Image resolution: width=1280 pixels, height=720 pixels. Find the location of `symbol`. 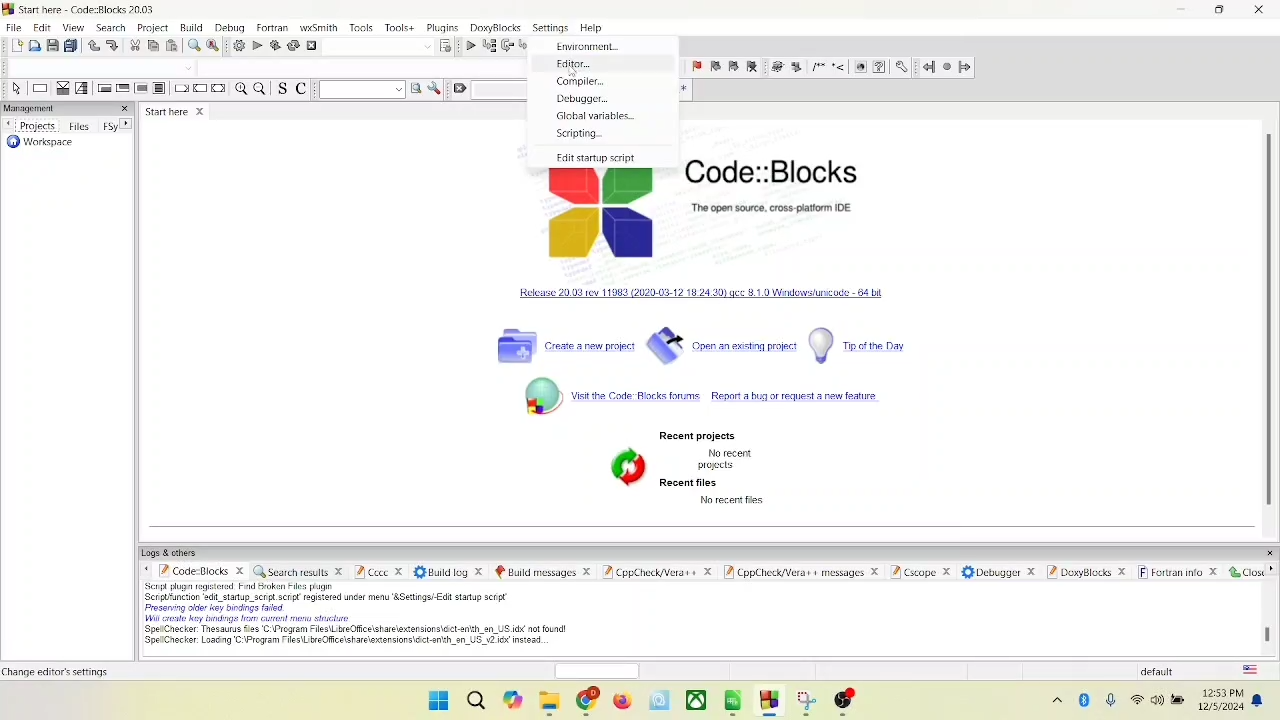

symbol is located at coordinates (624, 466).